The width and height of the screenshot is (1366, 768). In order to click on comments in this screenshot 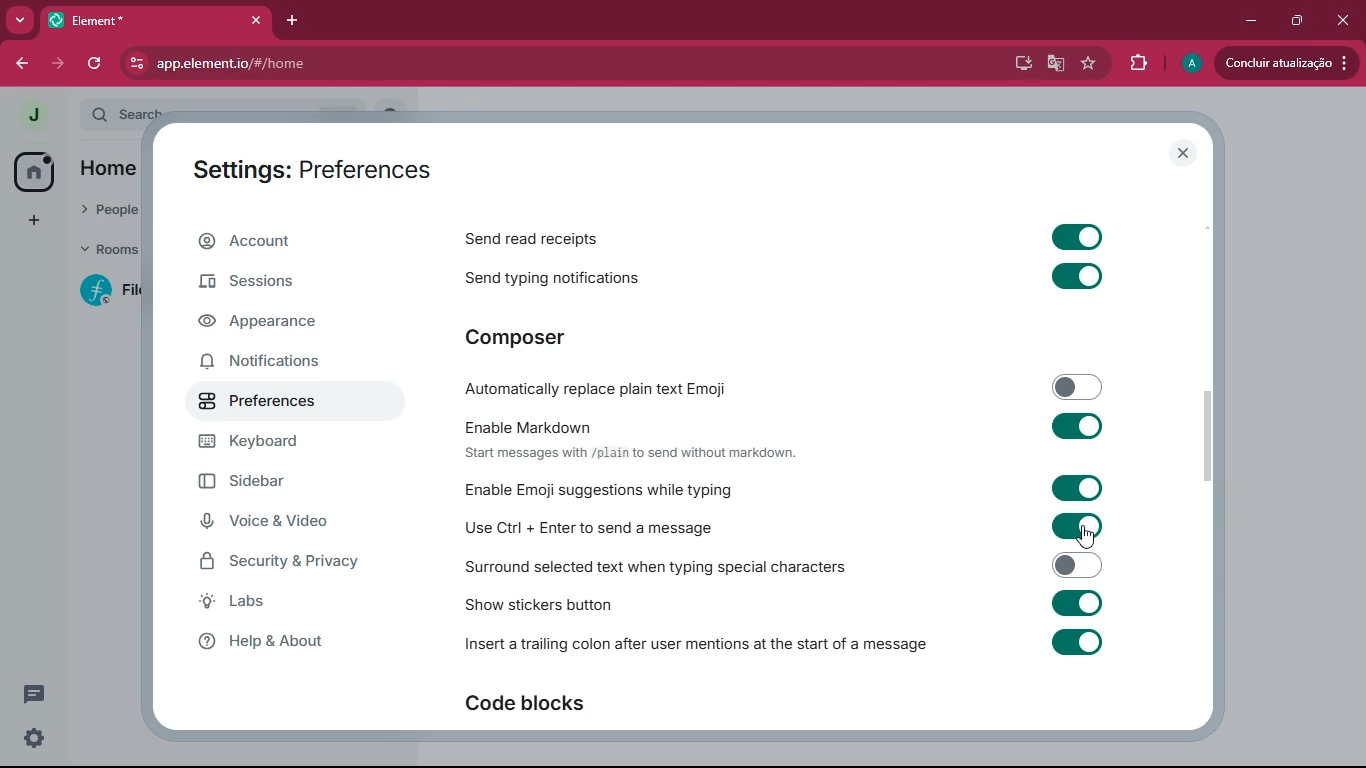, I will do `click(37, 691)`.